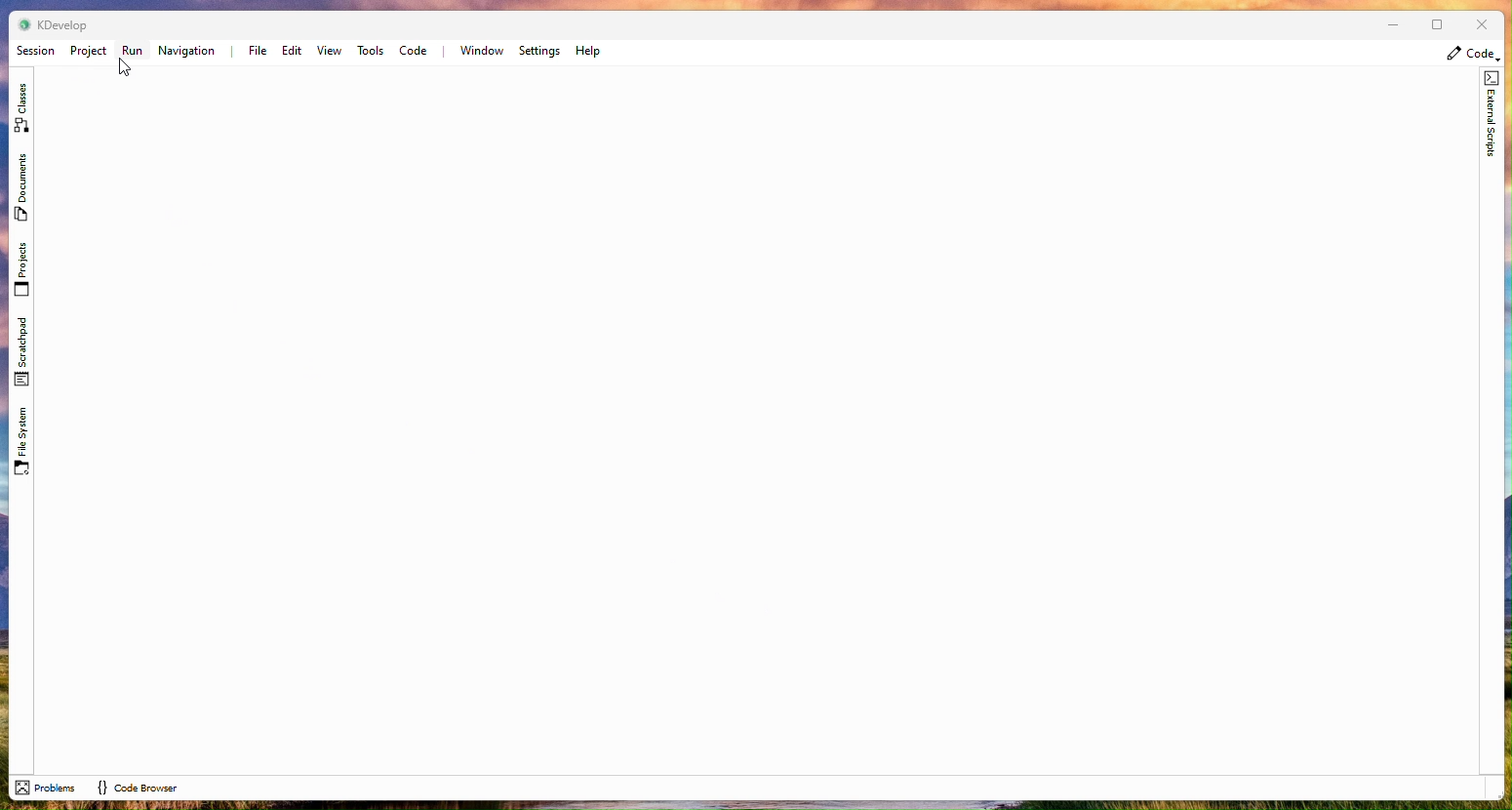 Image resolution: width=1512 pixels, height=810 pixels. I want to click on Navigation, so click(188, 52).